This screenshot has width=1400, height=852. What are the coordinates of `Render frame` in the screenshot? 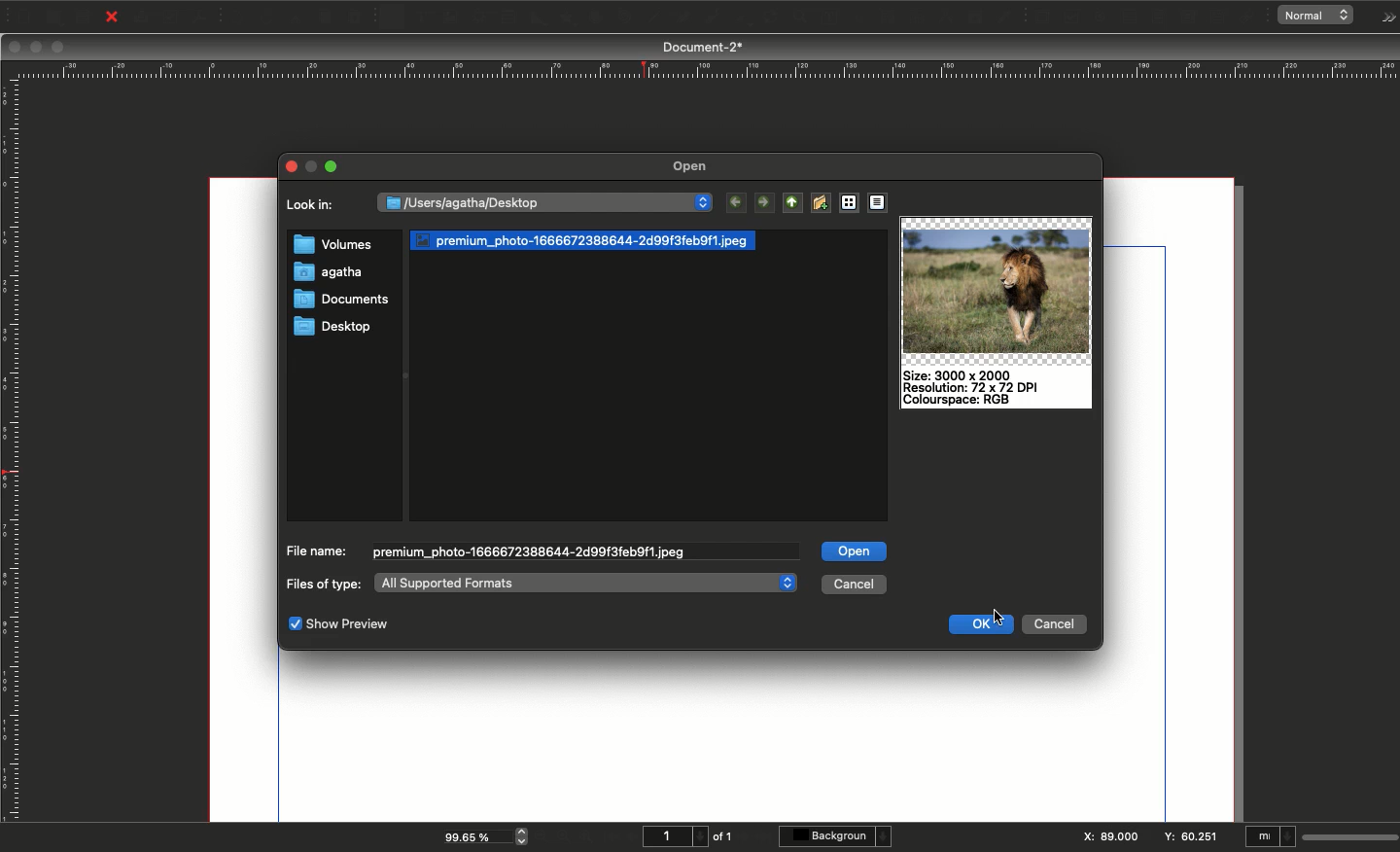 It's located at (477, 18).